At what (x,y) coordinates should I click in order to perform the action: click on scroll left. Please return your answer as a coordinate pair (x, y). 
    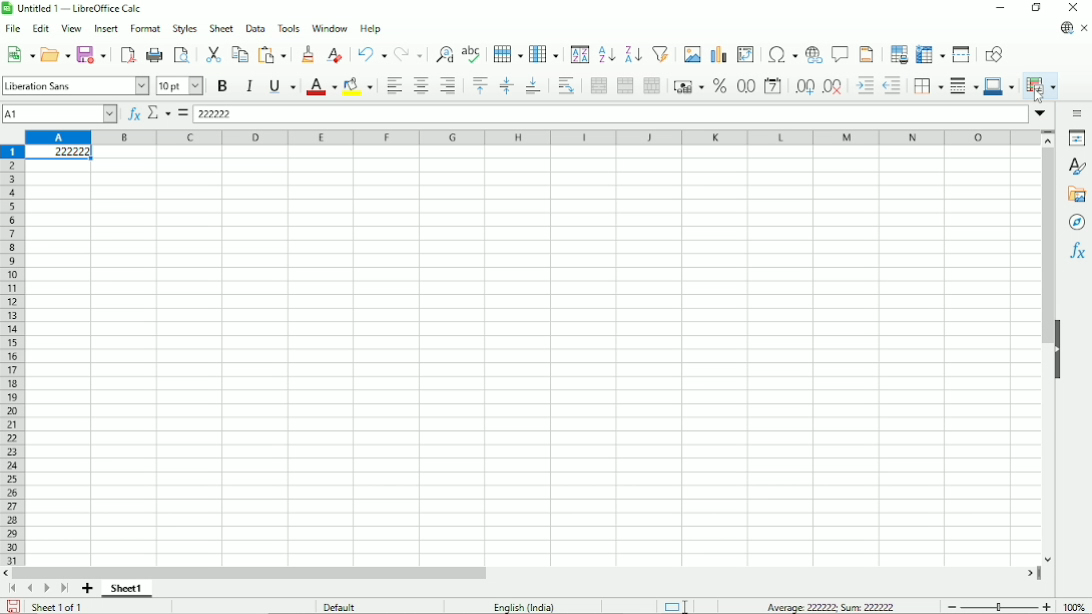
    Looking at the image, I should click on (8, 573).